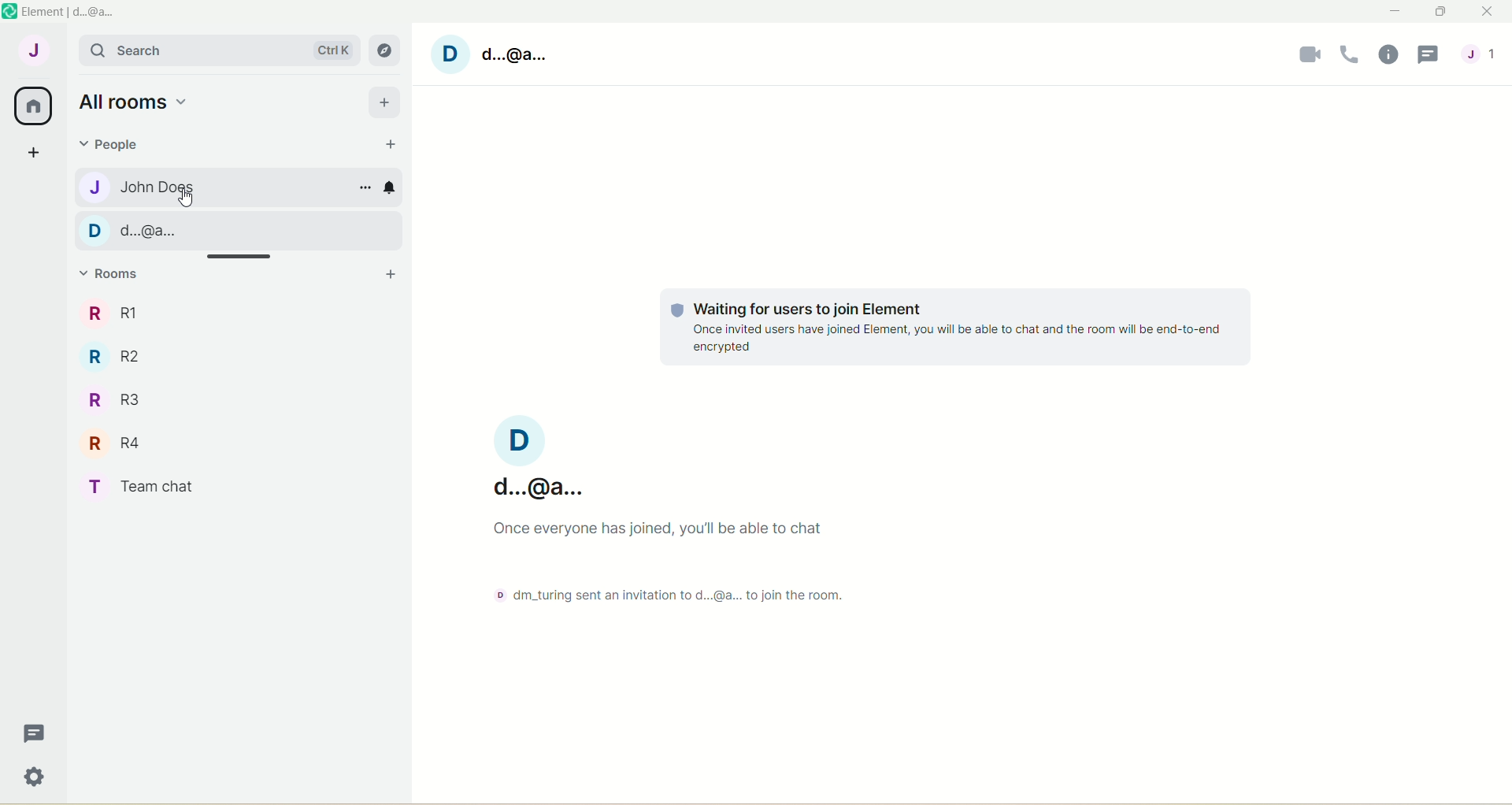 The image size is (1512, 805). What do you see at coordinates (132, 50) in the screenshot?
I see `search Ctrl k` at bounding box center [132, 50].